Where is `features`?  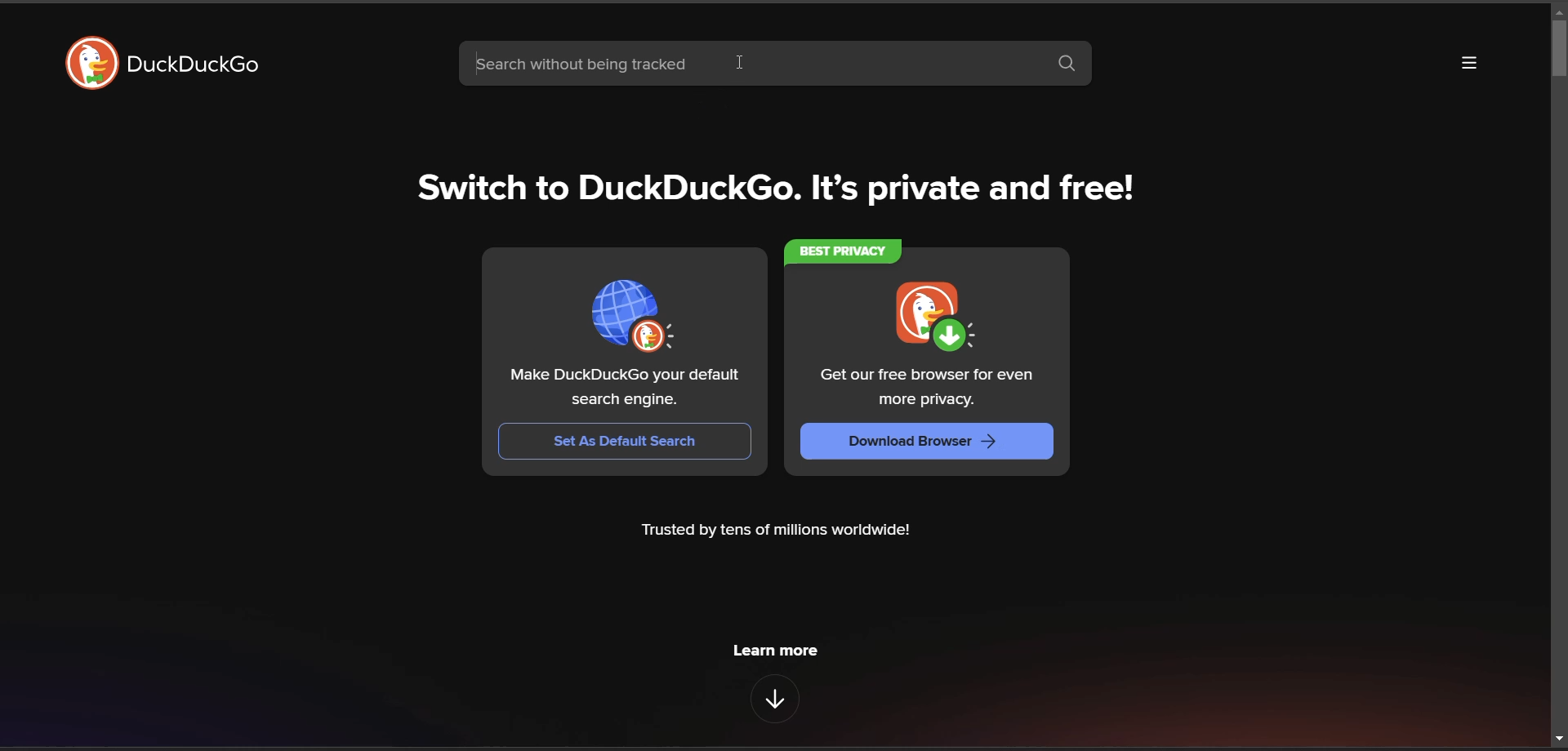
features is located at coordinates (774, 699).